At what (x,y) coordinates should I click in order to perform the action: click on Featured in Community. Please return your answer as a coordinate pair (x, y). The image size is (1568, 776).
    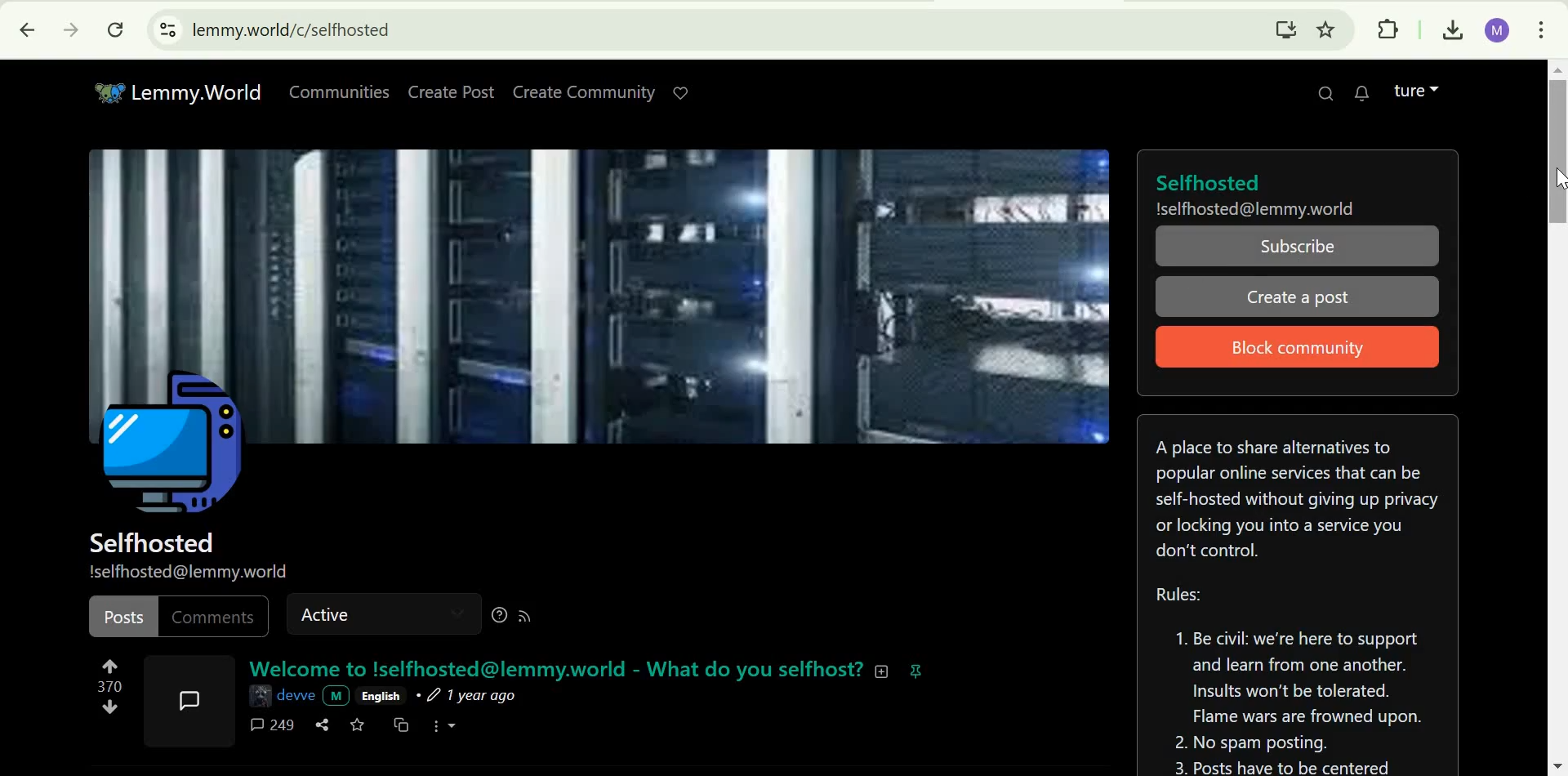
    Looking at the image, I should click on (916, 670).